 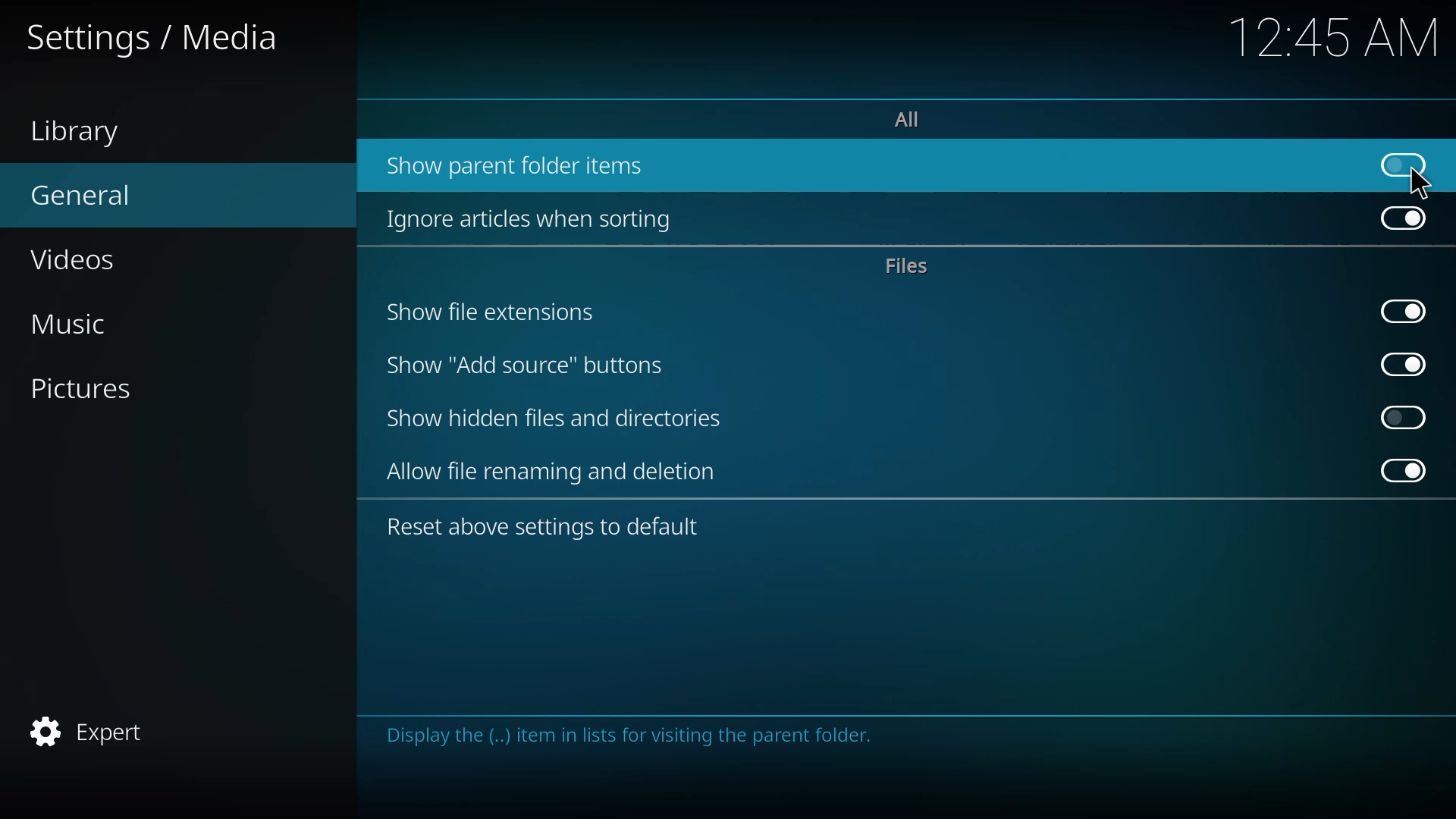 What do you see at coordinates (77, 130) in the screenshot?
I see `library` at bounding box center [77, 130].